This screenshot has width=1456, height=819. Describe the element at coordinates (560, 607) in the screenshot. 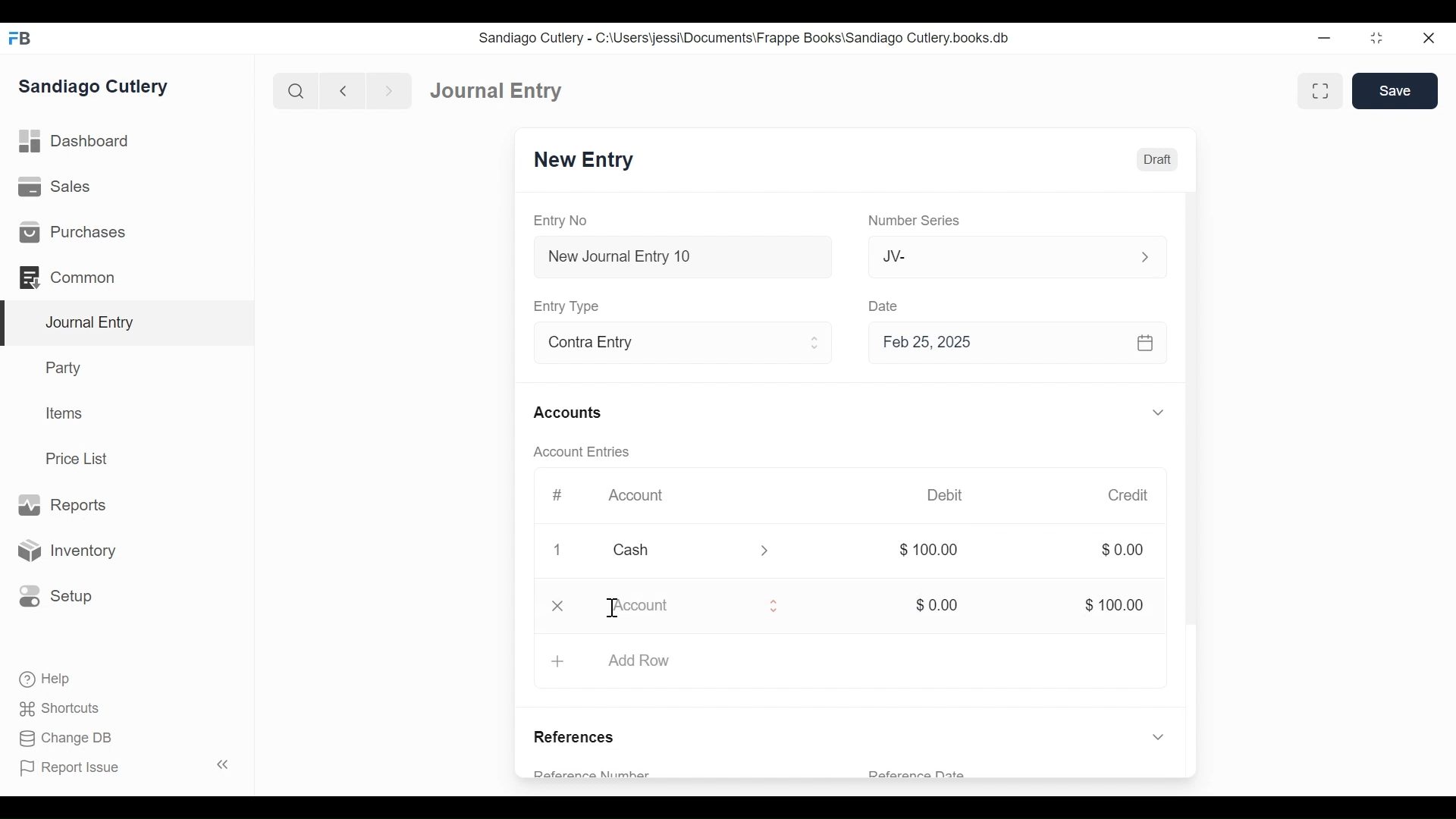

I see `Close` at that location.